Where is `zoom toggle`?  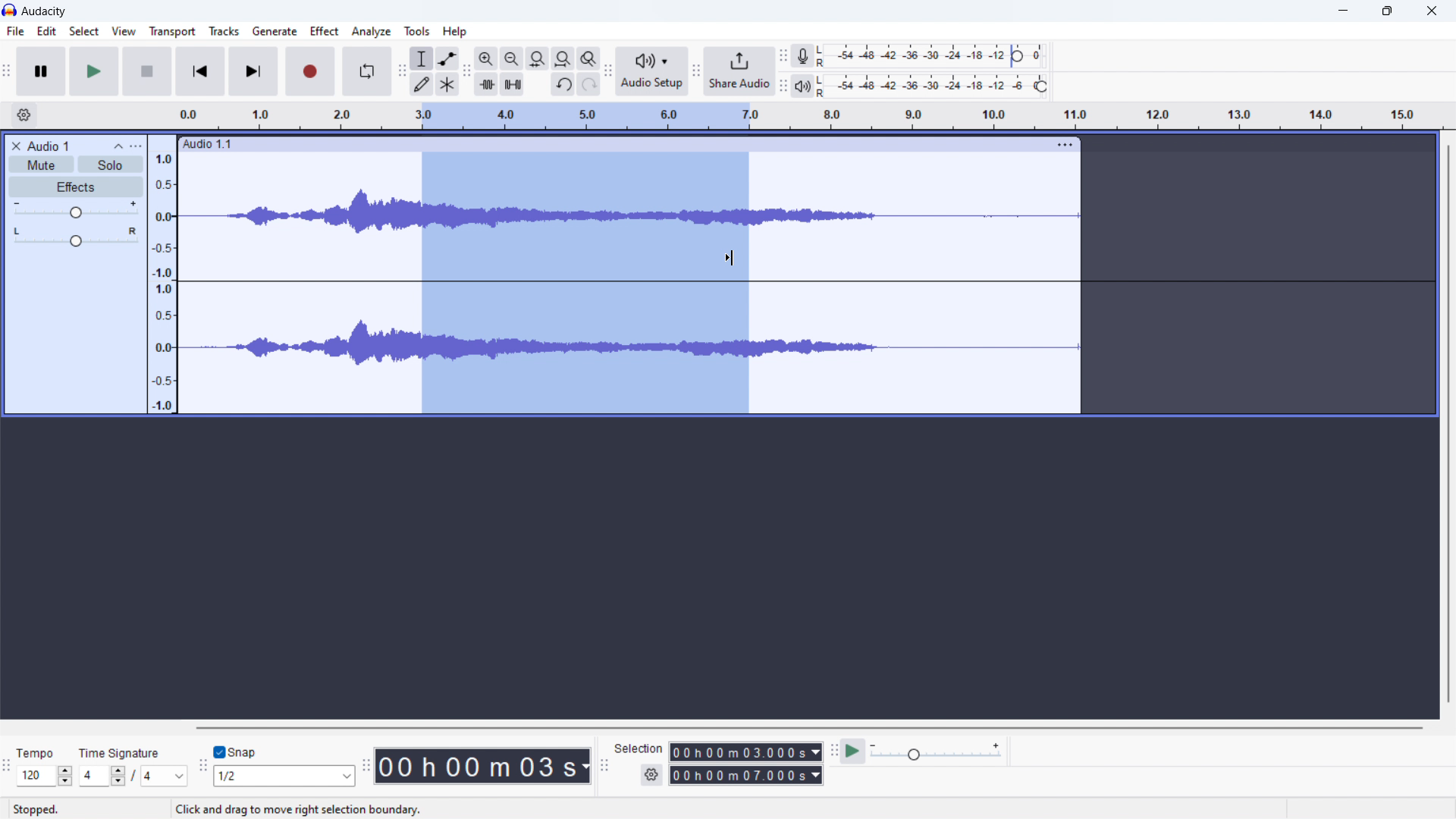
zoom toggle is located at coordinates (589, 58).